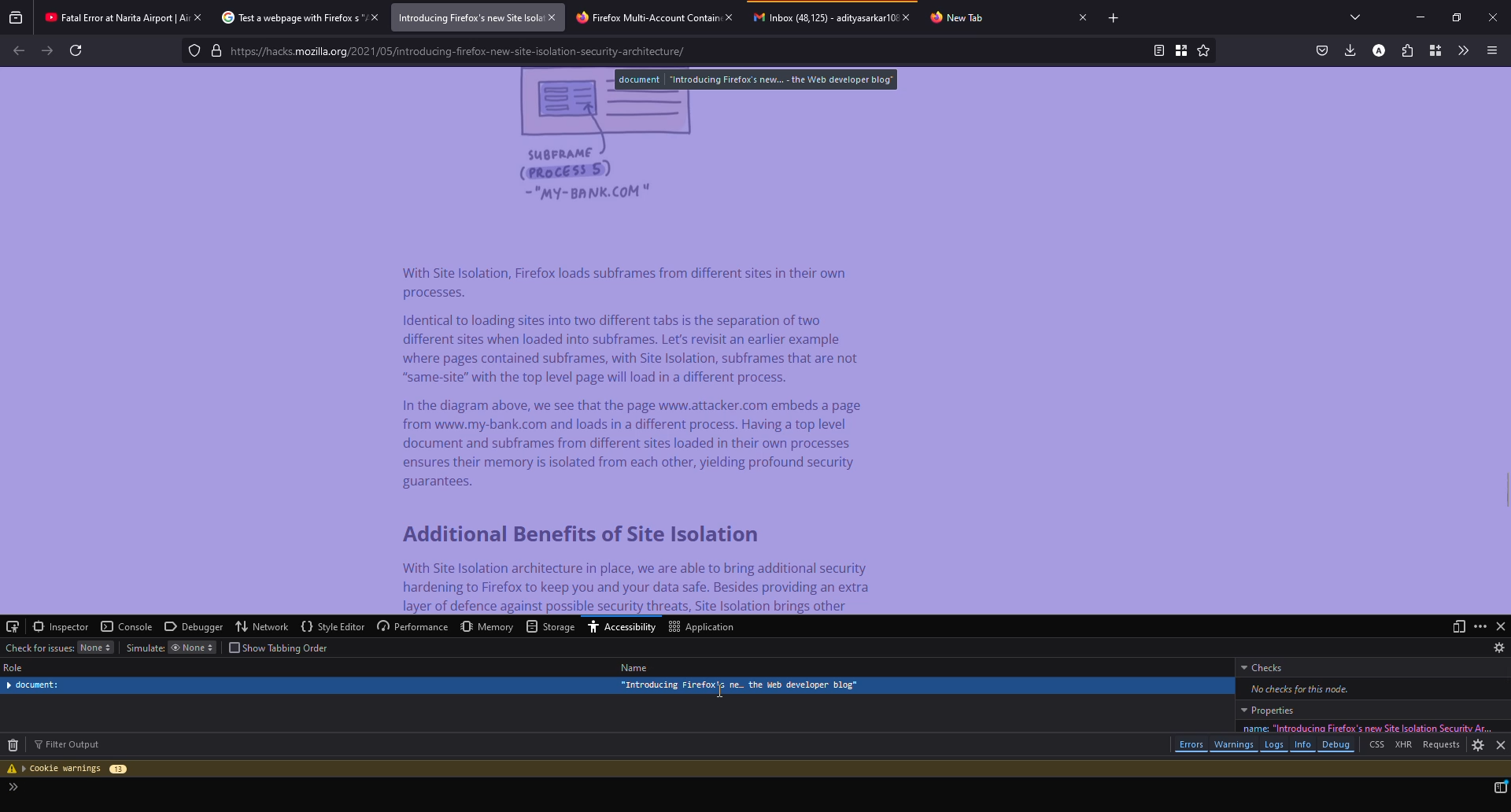 Image resolution: width=1511 pixels, height=812 pixels. Describe the element at coordinates (1407, 50) in the screenshot. I see `extensions` at that location.